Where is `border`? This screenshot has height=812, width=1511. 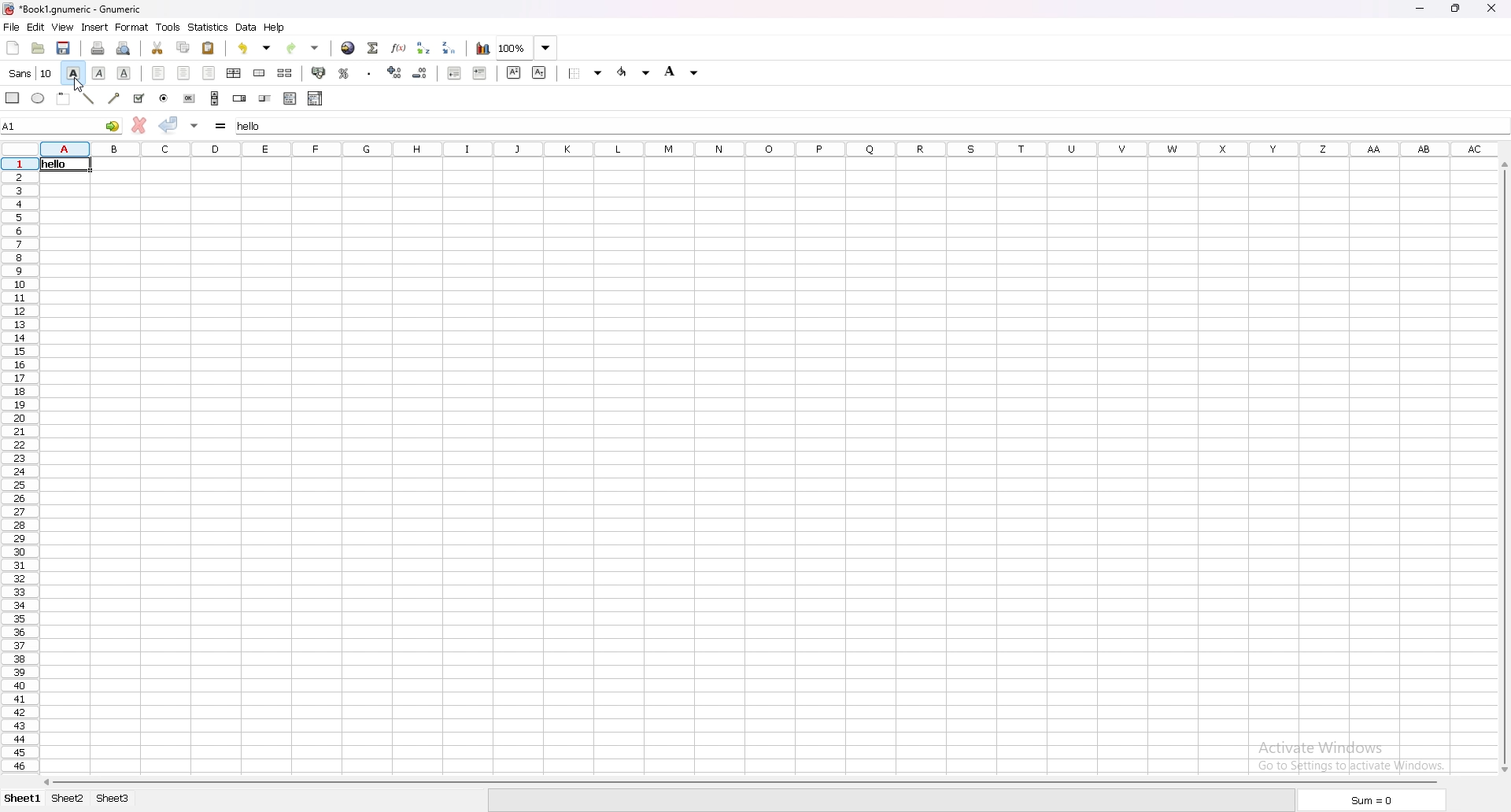
border is located at coordinates (586, 72).